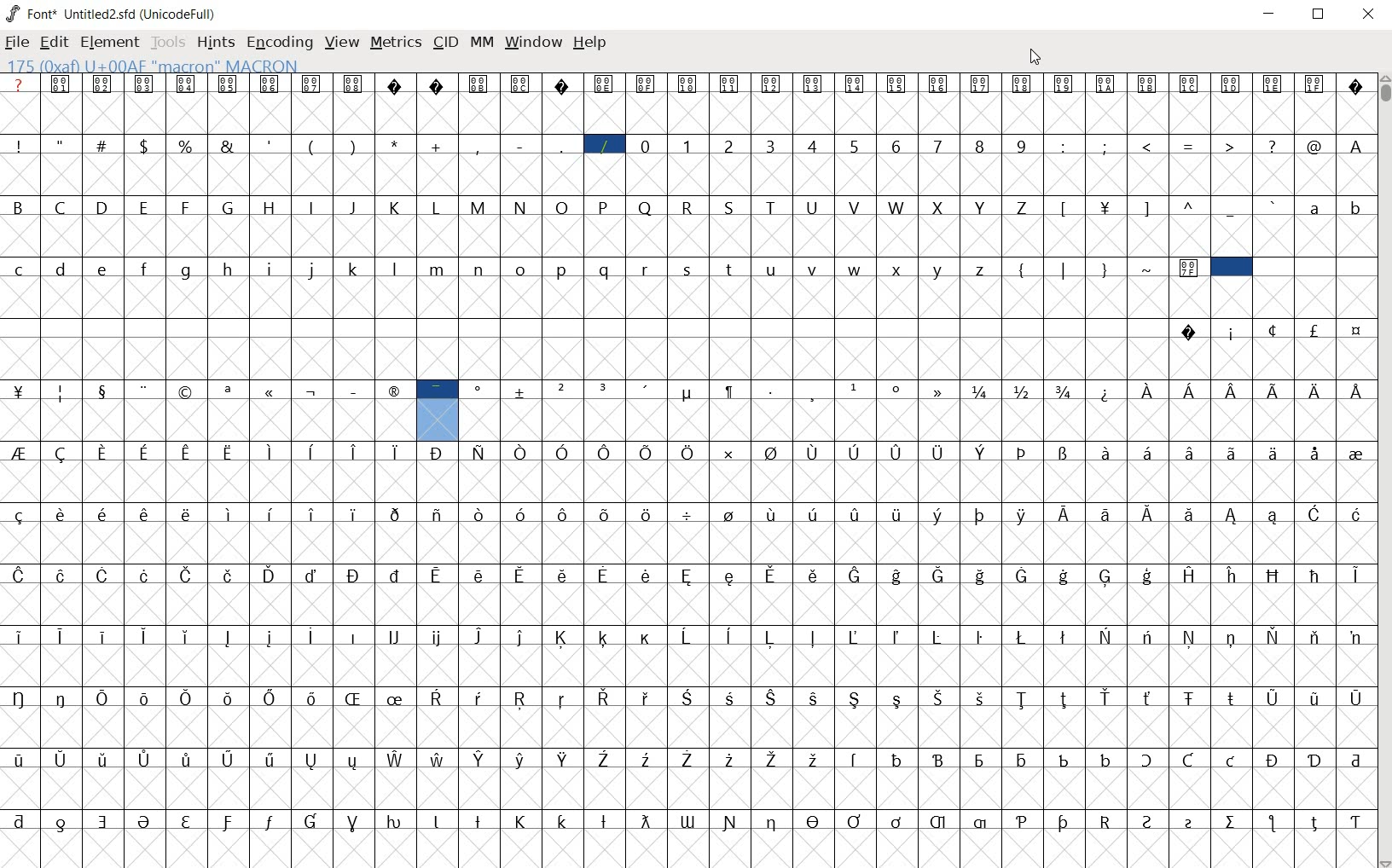 This screenshot has height=868, width=1392. Describe the element at coordinates (481, 44) in the screenshot. I see `MM` at that location.